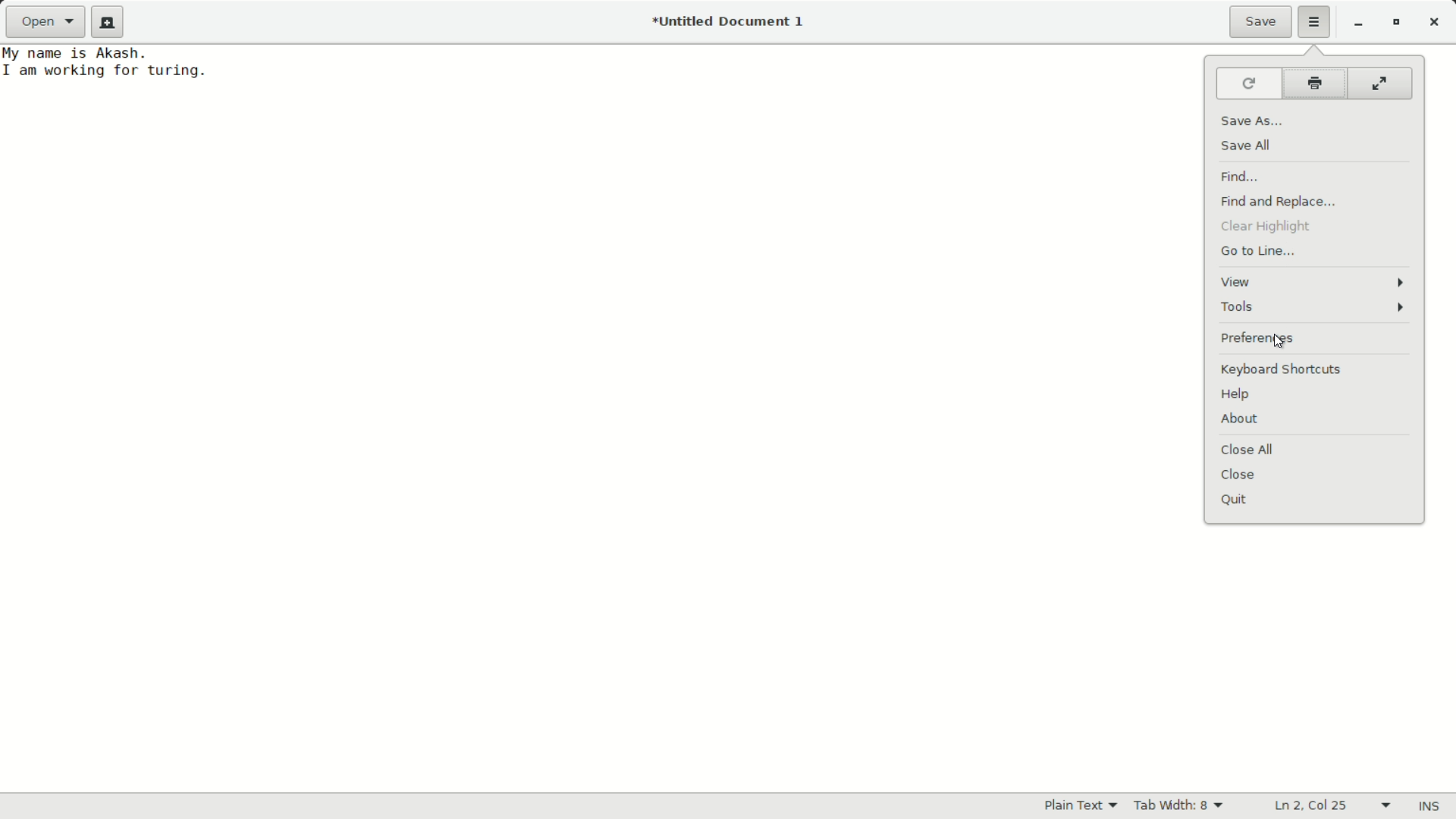 This screenshot has width=1456, height=819. I want to click on tools, so click(1316, 307).